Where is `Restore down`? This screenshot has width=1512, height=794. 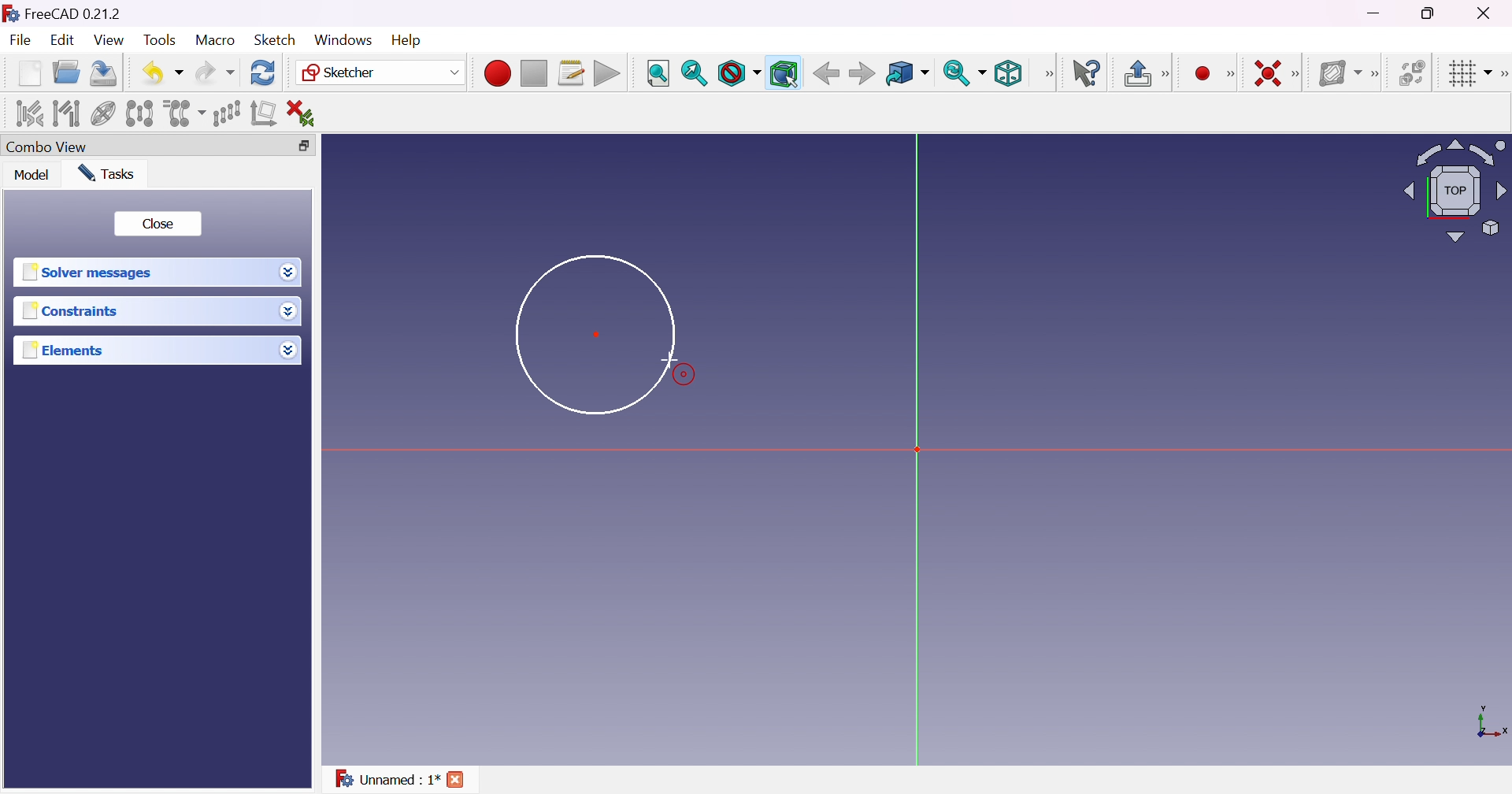
Restore down is located at coordinates (302, 146).